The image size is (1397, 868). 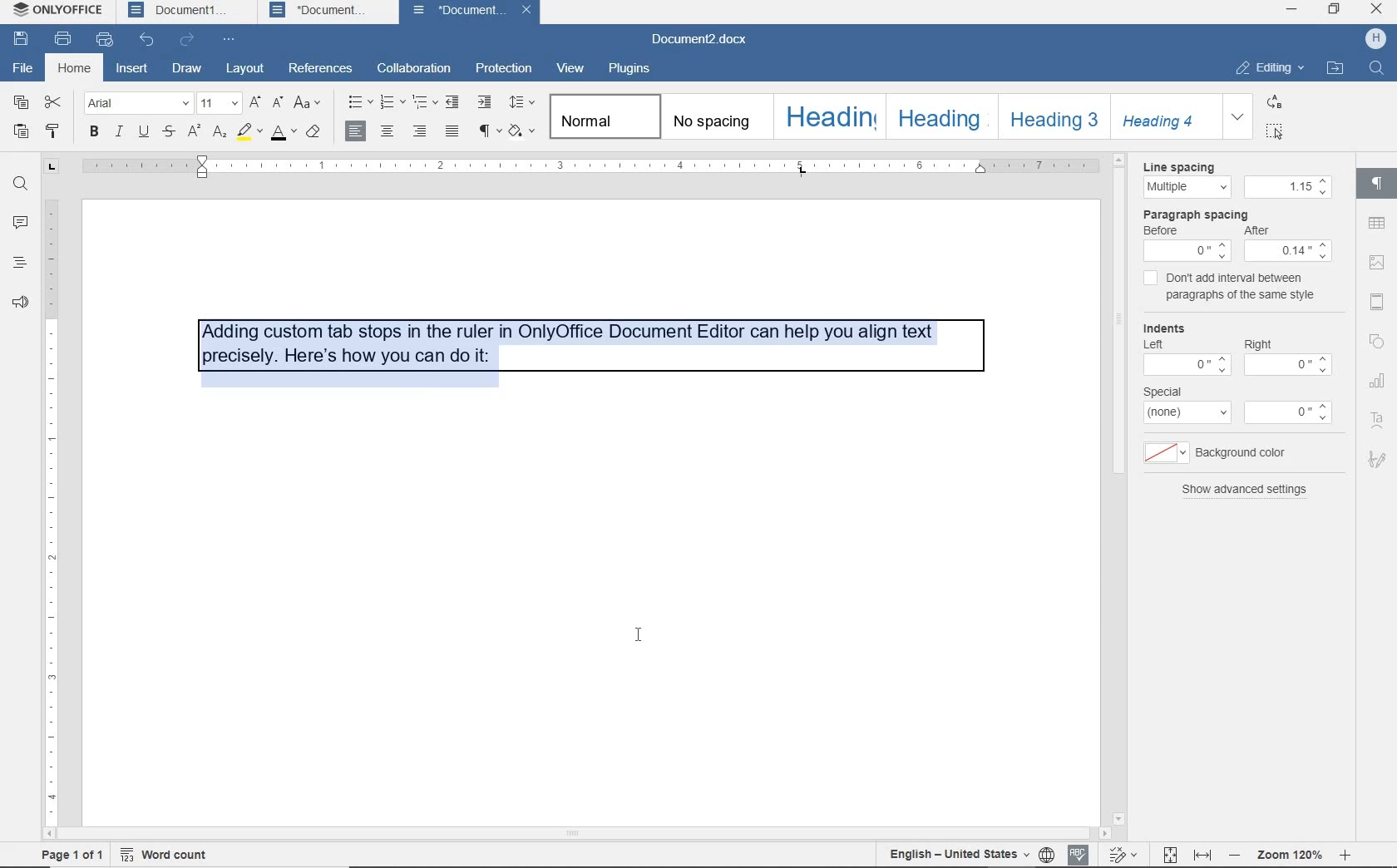 What do you see at coordinates (180, 11) in the screenshot?
I see `Document1 tab` at bounding box center [180, 11].